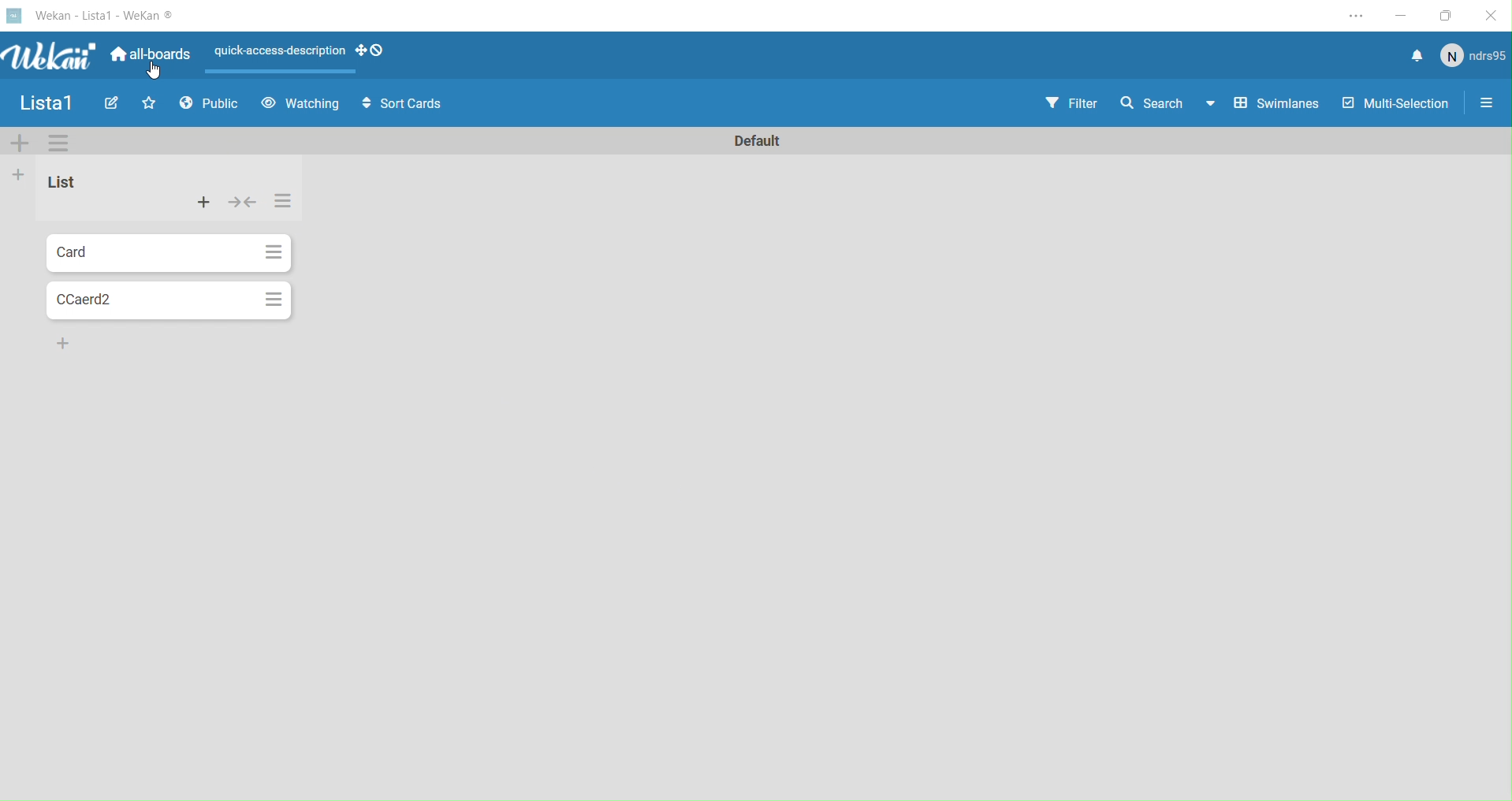 The height and width of the screenshot is (801, 1512). I want to click on Sort Cards, so click(397, 106).